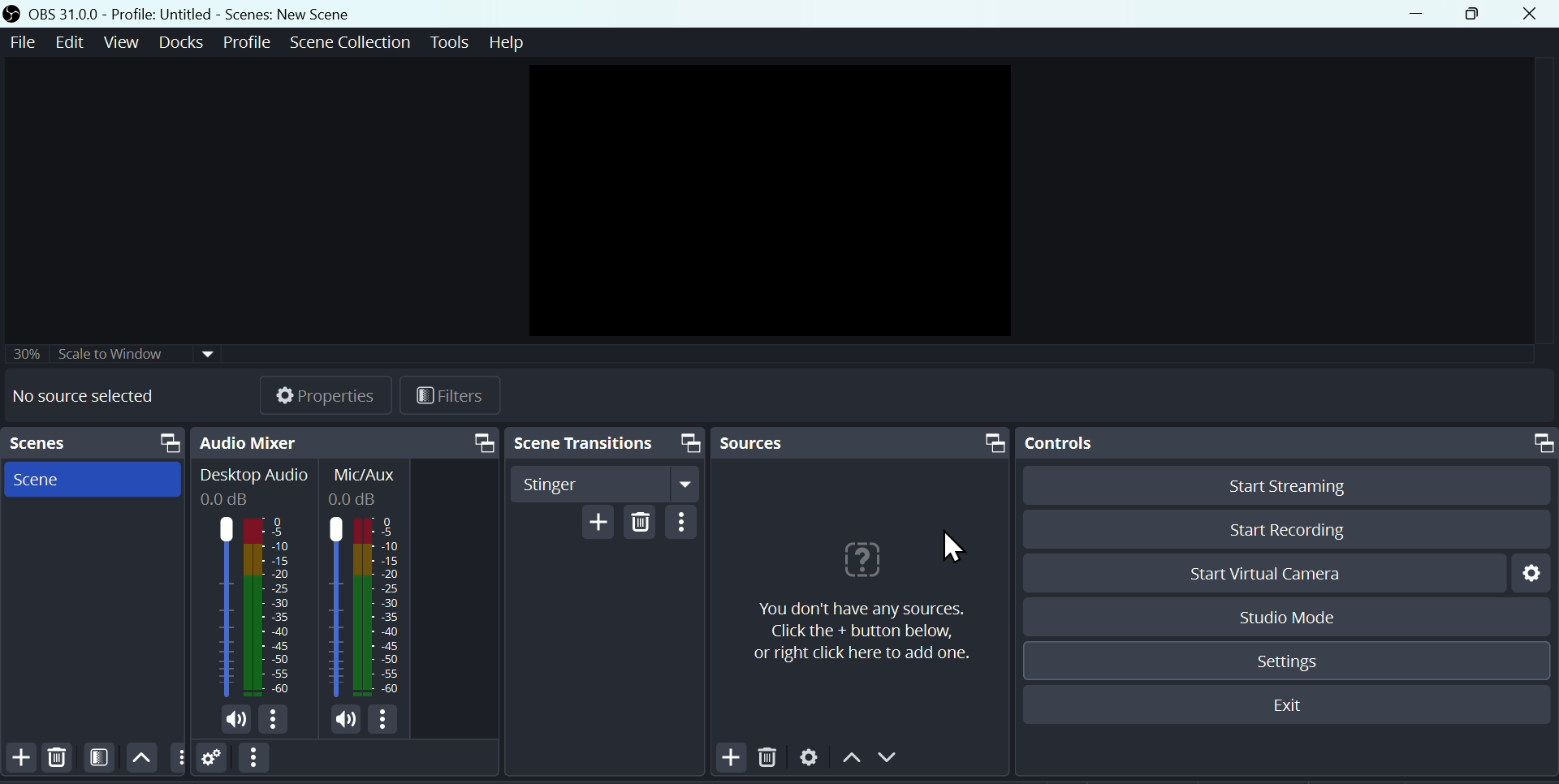 This screenshot has height=784, width=1559. What do you see at coordinates (771, 441) in the screenshot?
I see `Sources` at bounding box center [771, 441].